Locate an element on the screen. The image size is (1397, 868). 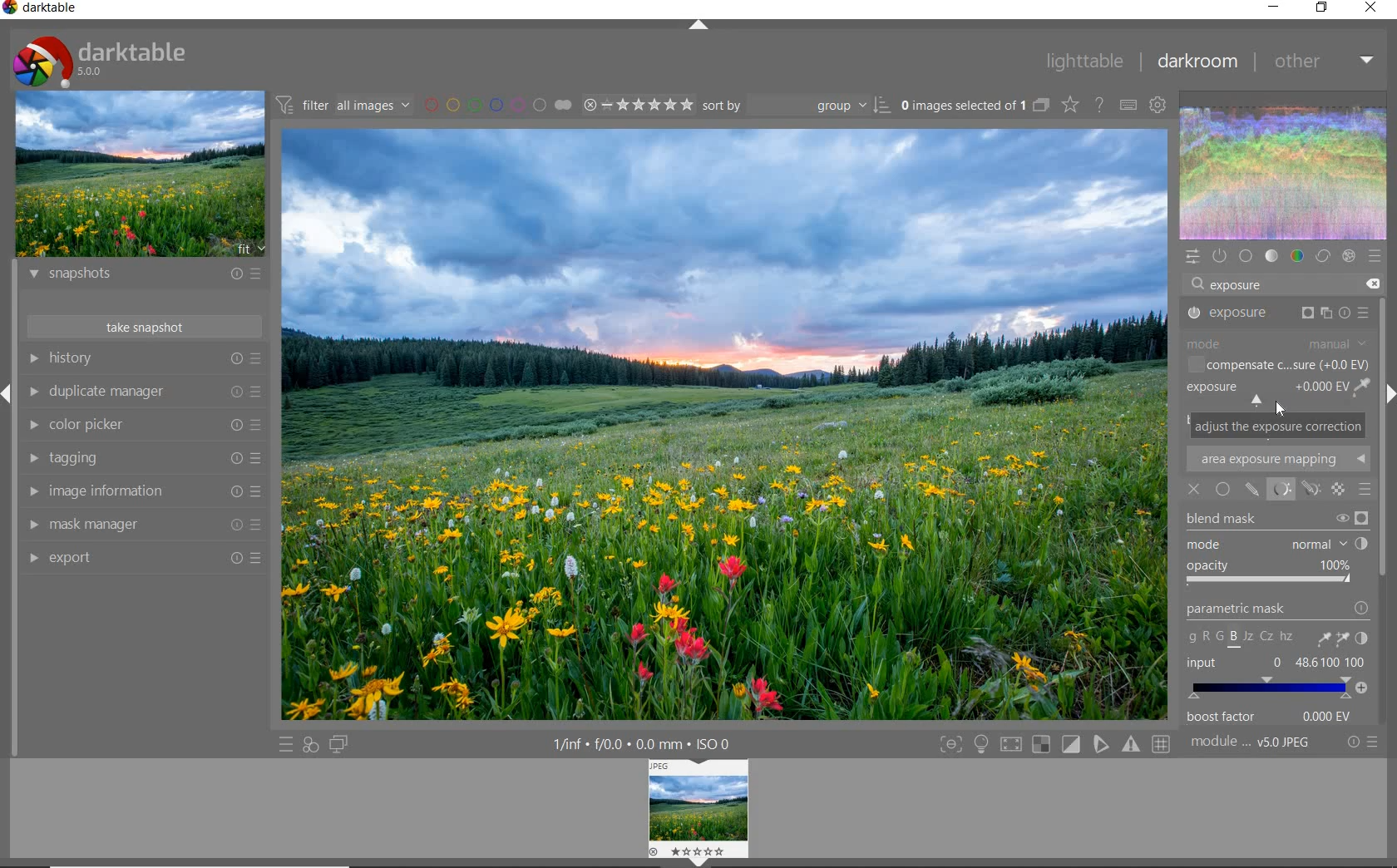
tagging is located at coordinates (141, 457).